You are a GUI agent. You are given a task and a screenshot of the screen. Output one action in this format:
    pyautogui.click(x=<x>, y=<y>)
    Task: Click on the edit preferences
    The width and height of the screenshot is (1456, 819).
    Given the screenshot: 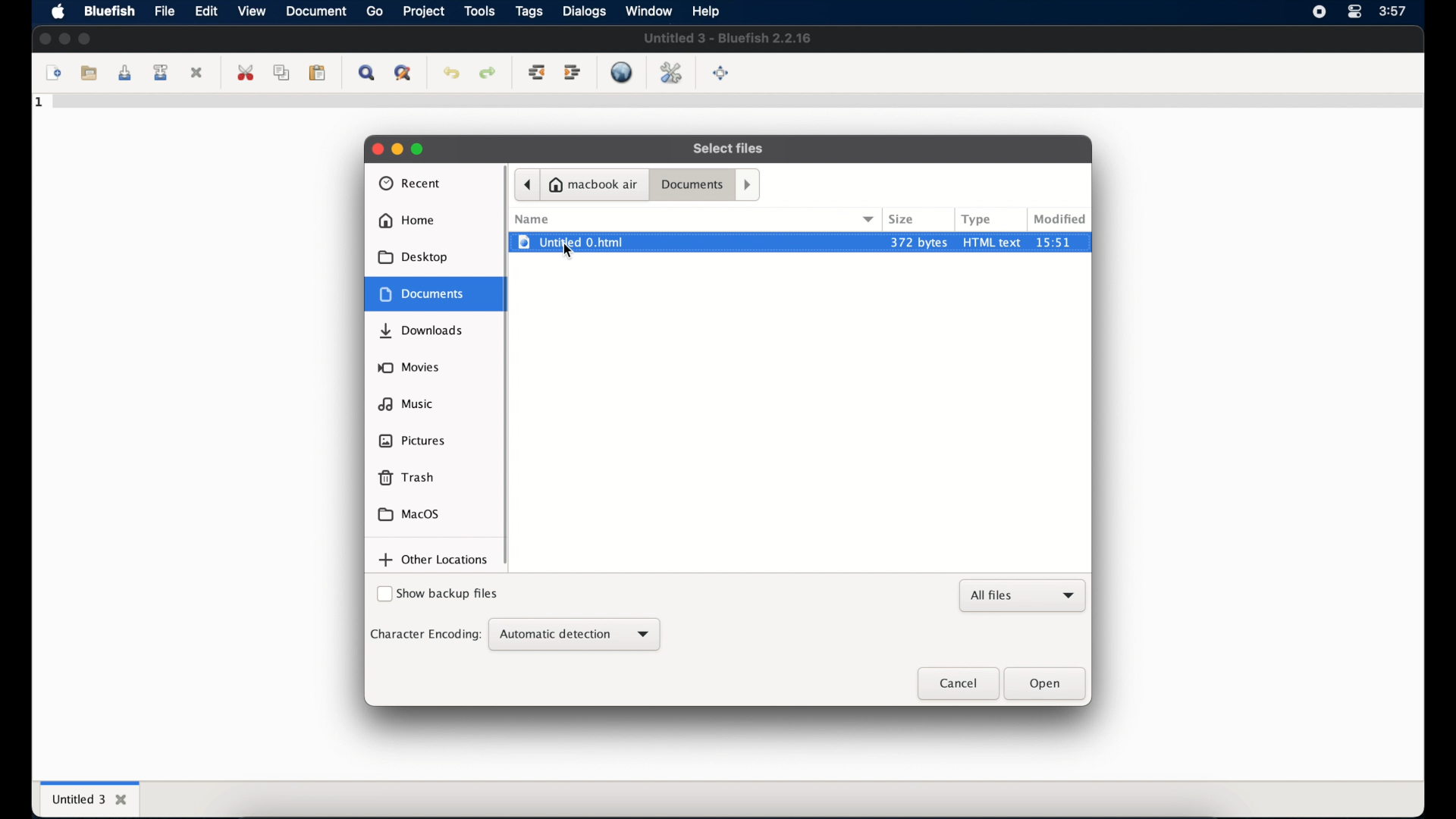 What is the action you would take?
    pyautogui.click(x=670, y=72)
    